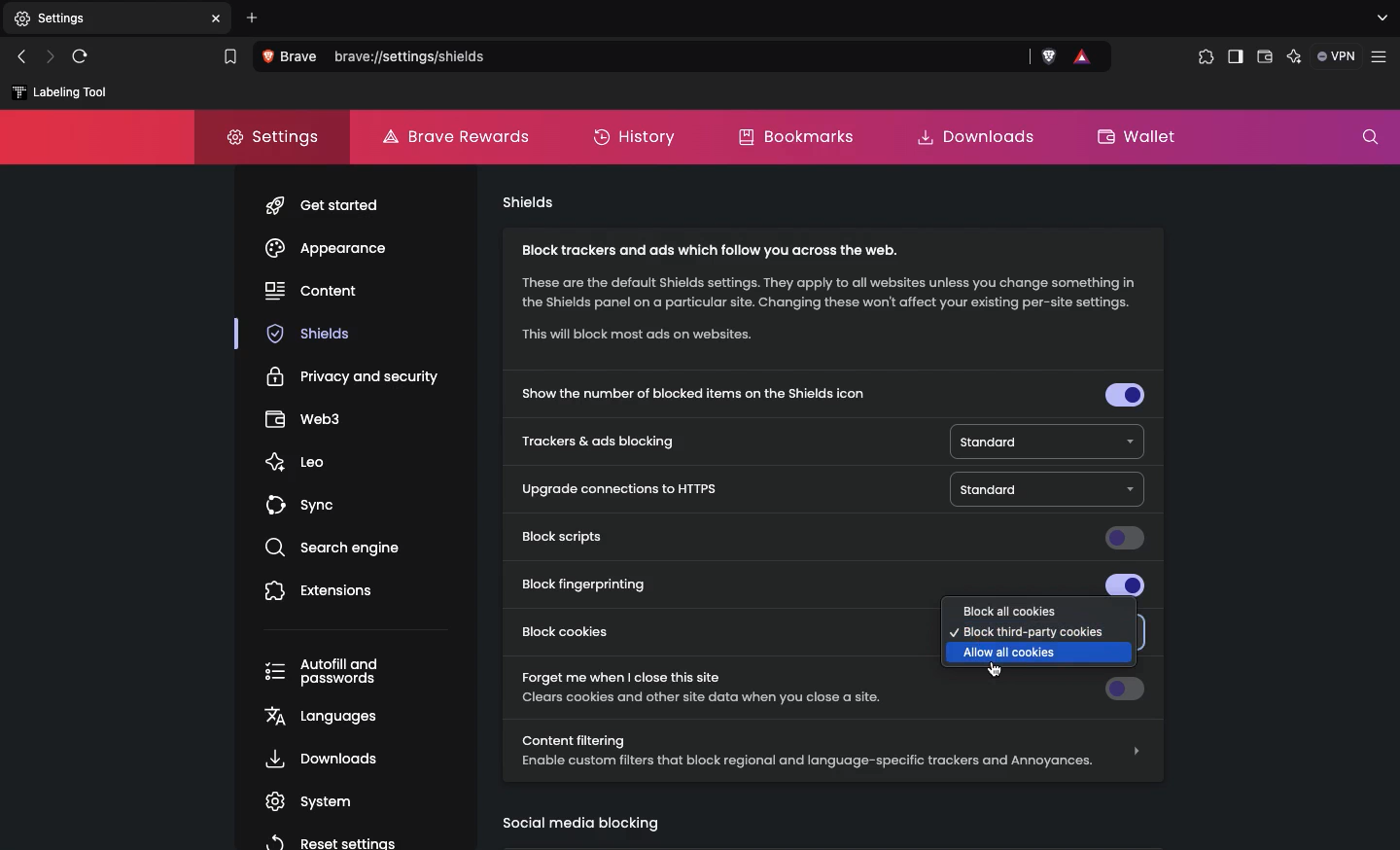  What do you see at coordinates (302, 510) in the screenshot?
I see `sync` at bounding box center [302, 510].